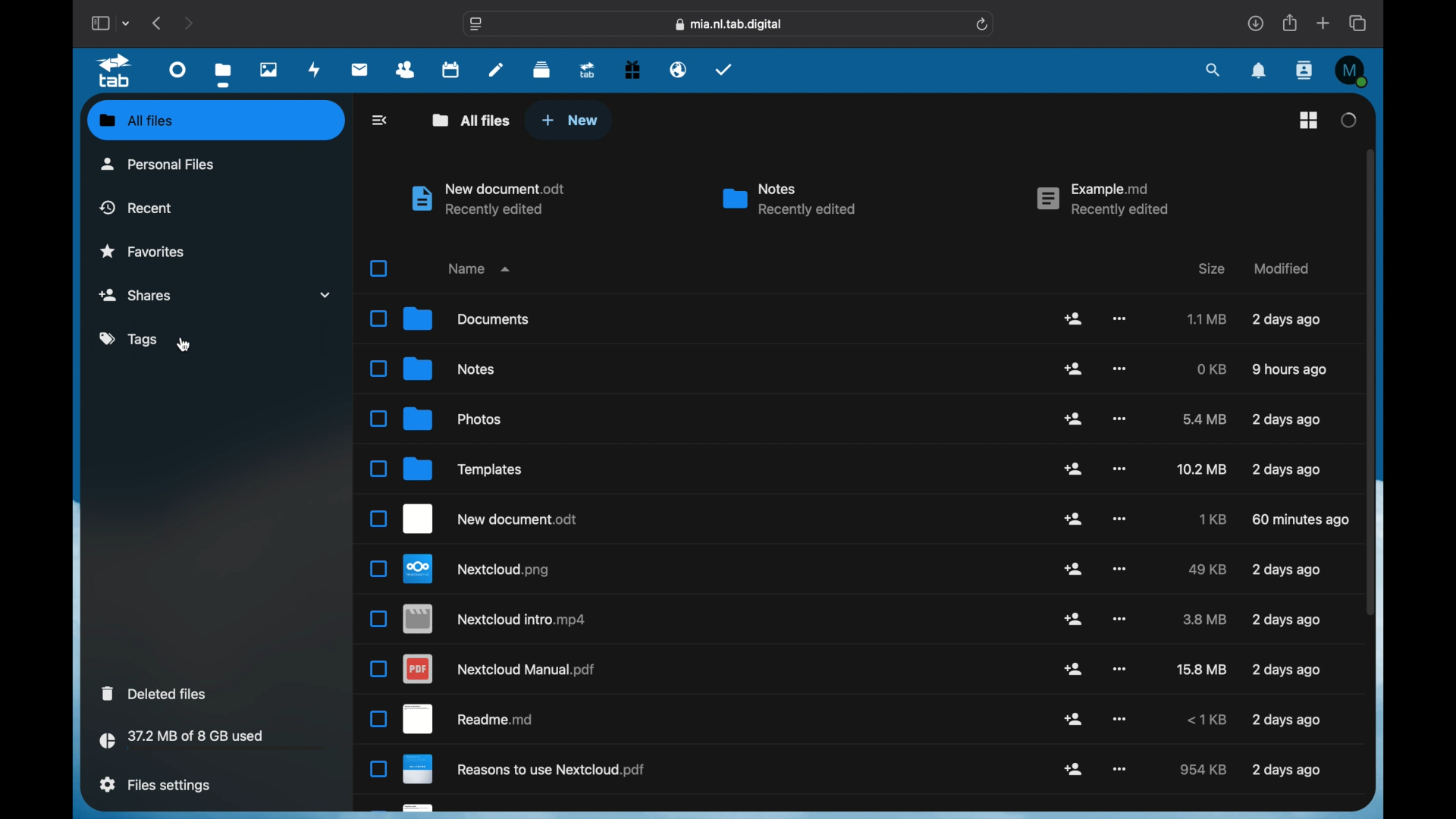 The height and width of the screenshot is (819, 1456). What do you see at coordinates (360, 69) in the screenshot?
I see `mail` at bounding box center [360, 69].